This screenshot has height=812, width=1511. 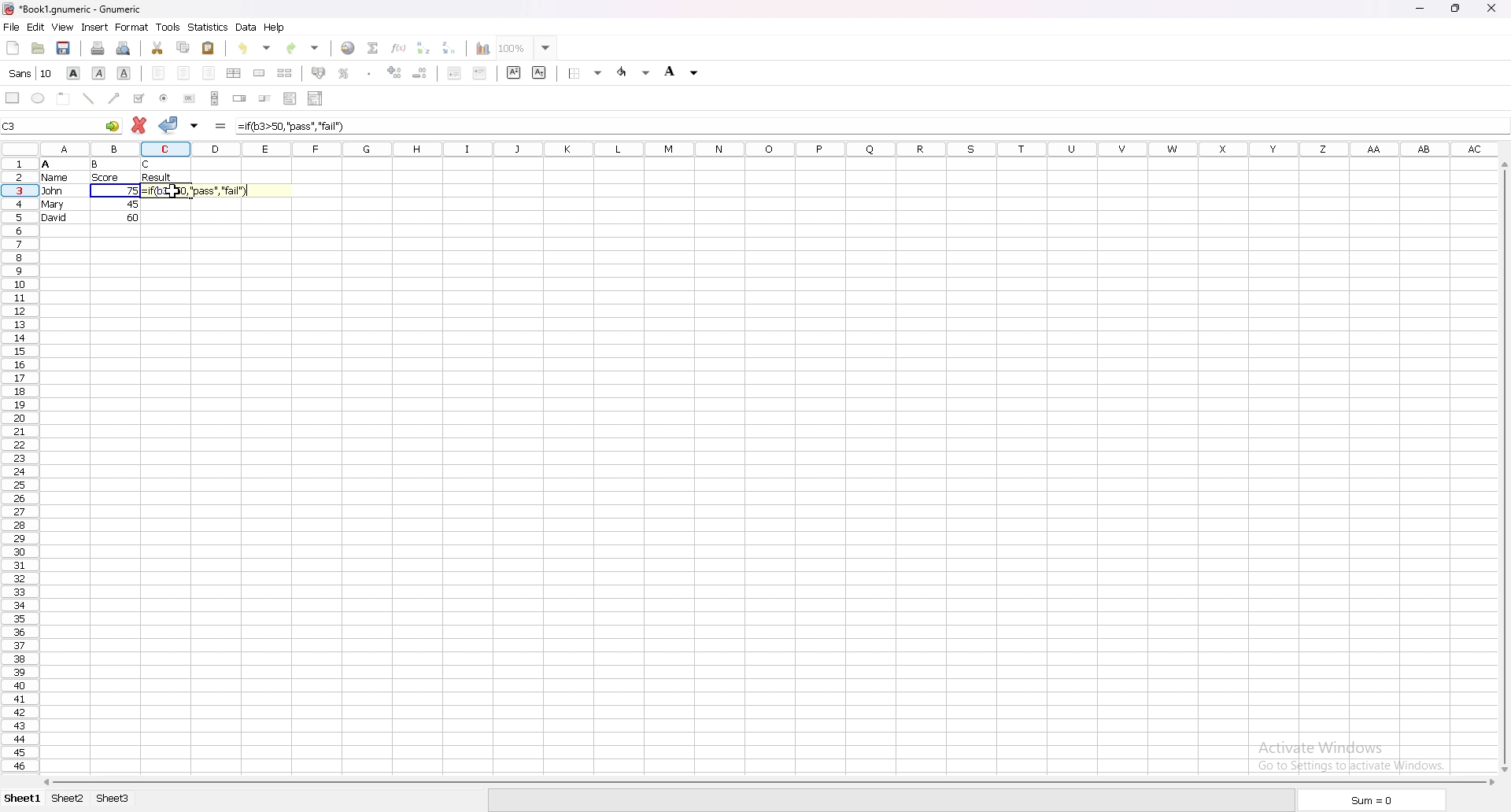 What do you see at coordinates (184, 47) in the screenshot?
I see `copy` at bounding box center [184, 47].